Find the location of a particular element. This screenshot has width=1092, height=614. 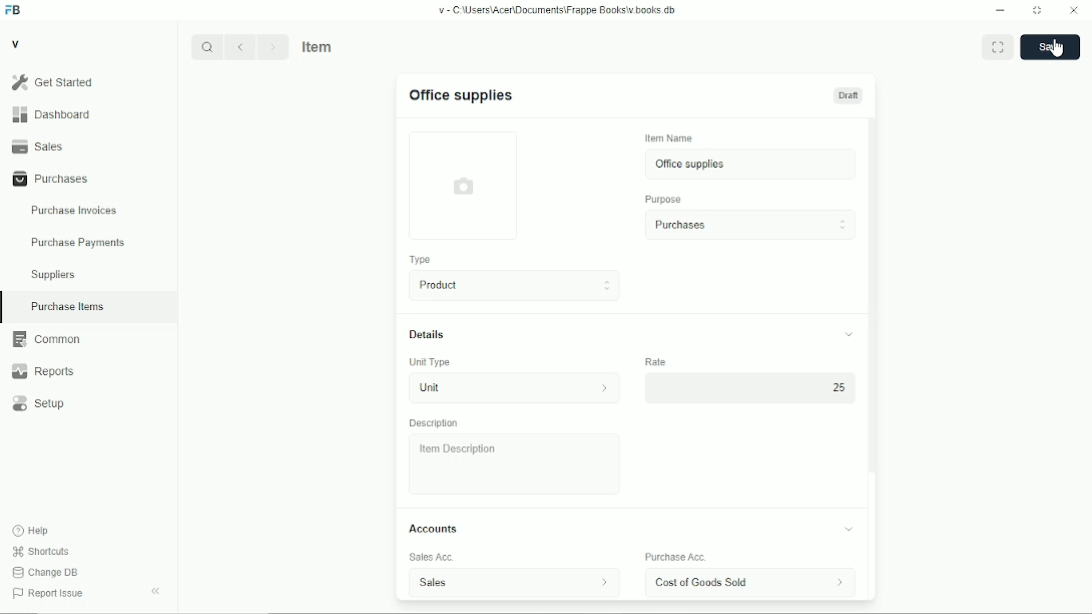

reports is located at coordinates (42, 371).